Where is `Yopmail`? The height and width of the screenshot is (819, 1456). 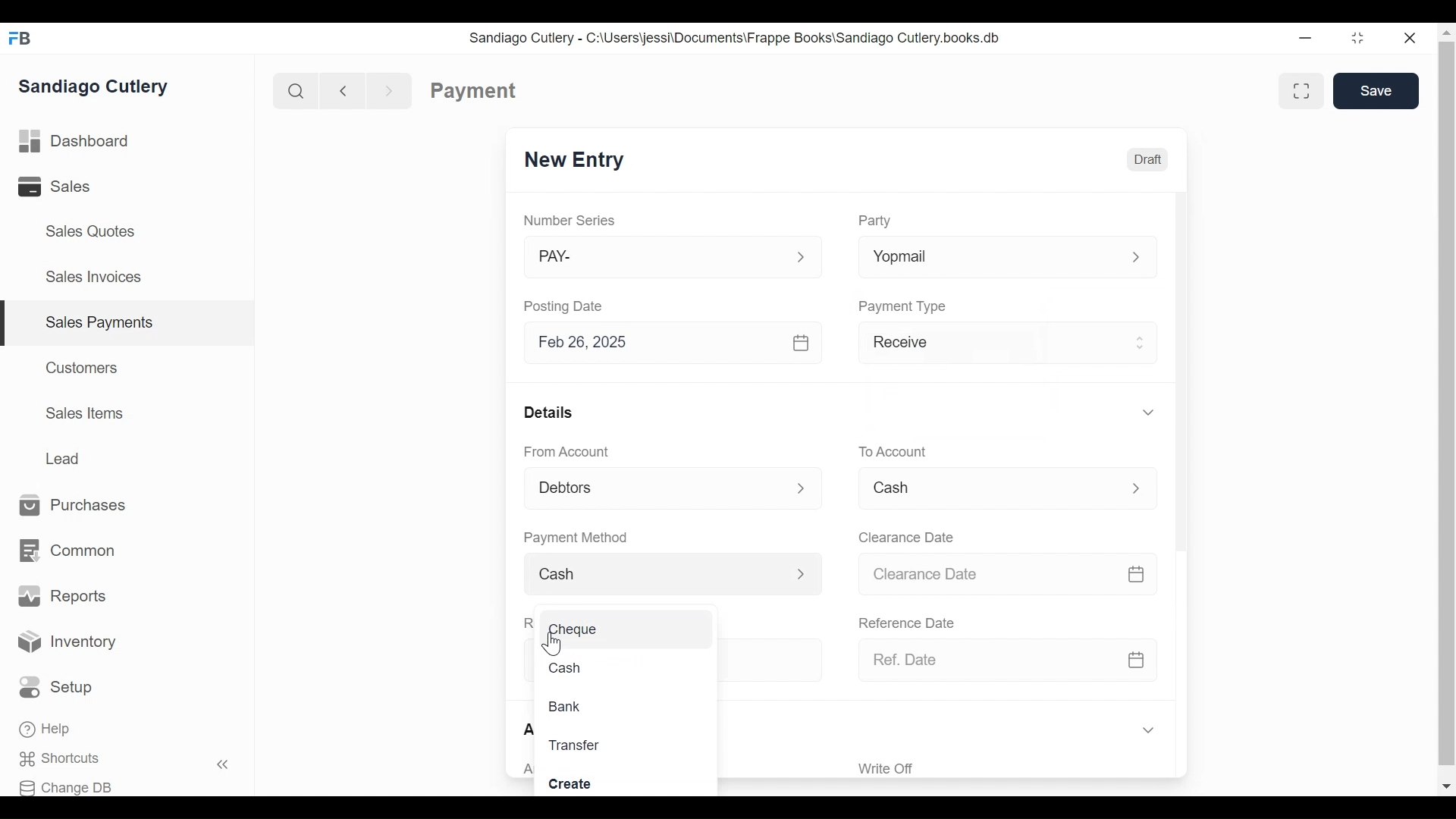 Yopmail is located at coordinates (988, 258).